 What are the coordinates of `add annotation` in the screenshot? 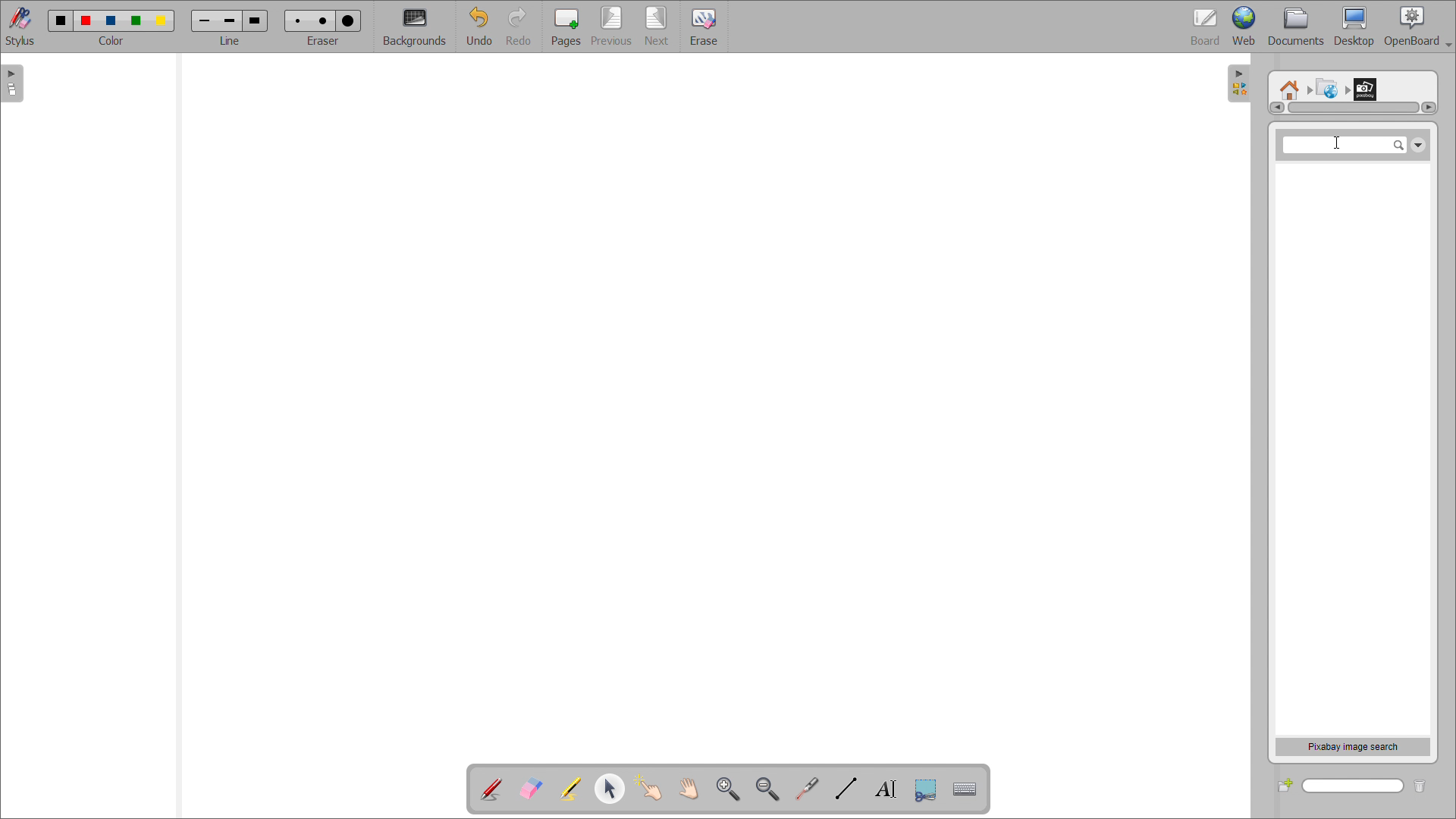 It's located at (491, 789).